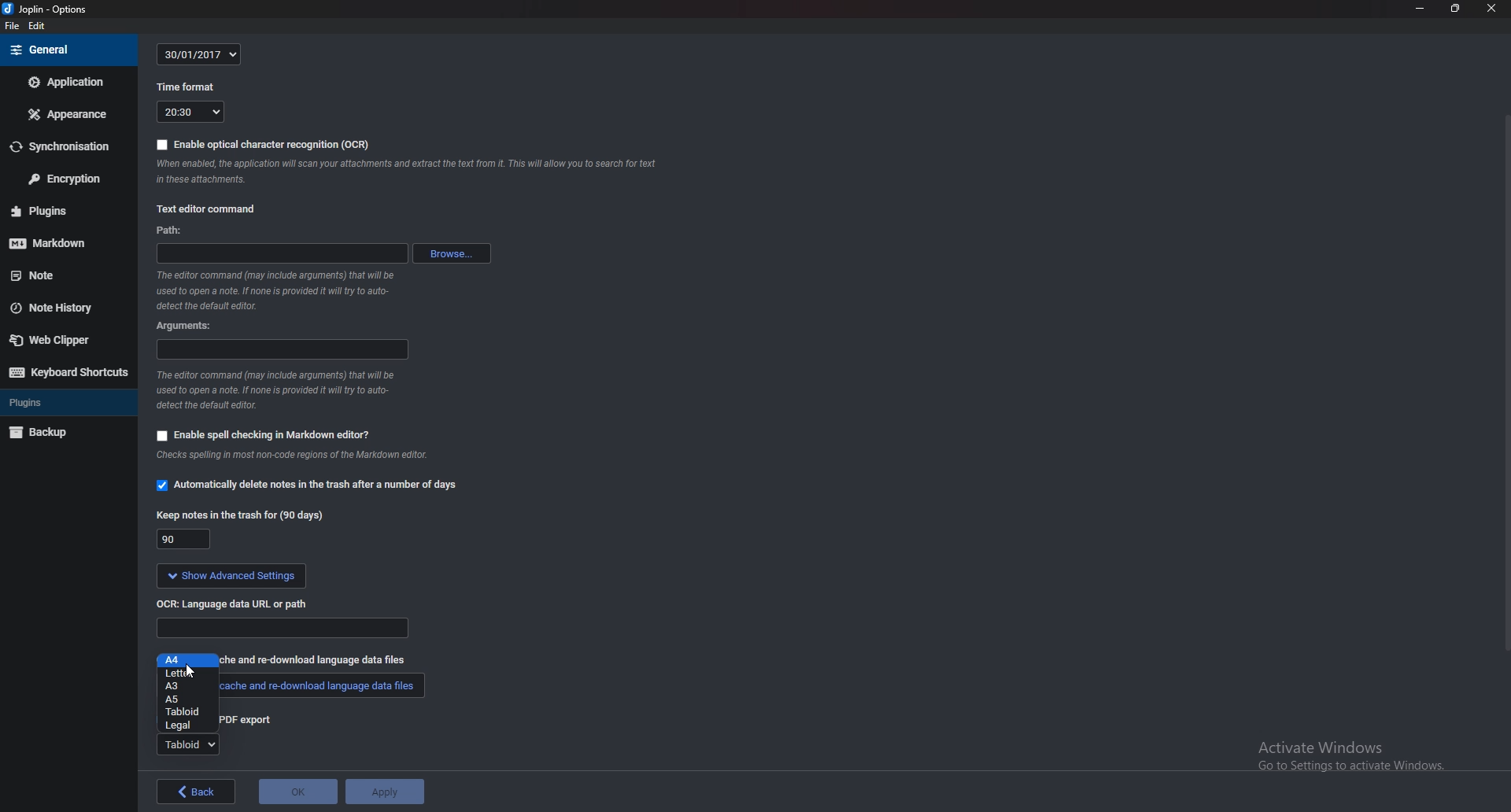 Image resolution: width=1511 pixels, height=812 pixels. Describe the element at coordinates (188, 699) in the screenshot. I see `a5` at that location.